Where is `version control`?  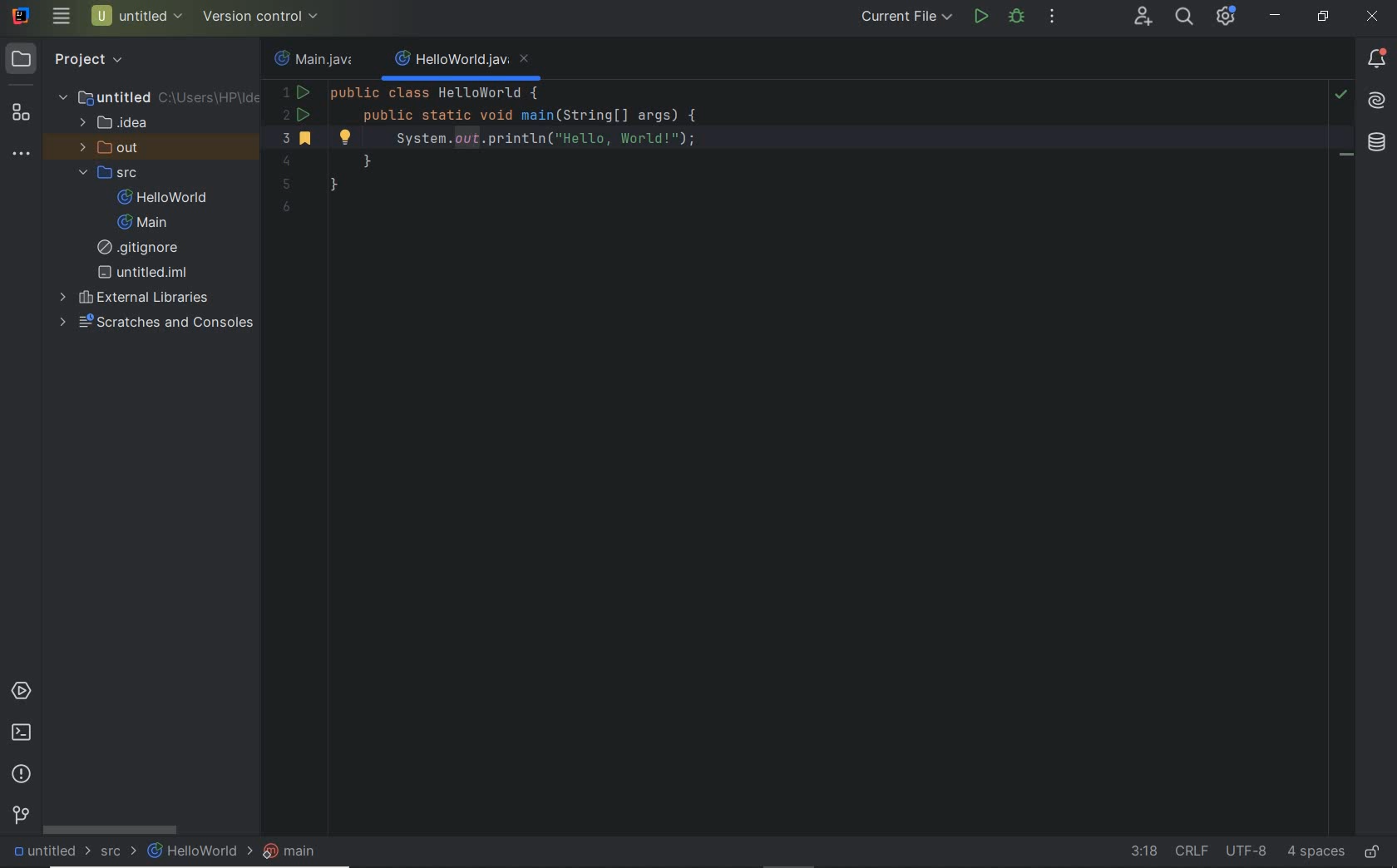
version control is located at coordinates (22, 815).